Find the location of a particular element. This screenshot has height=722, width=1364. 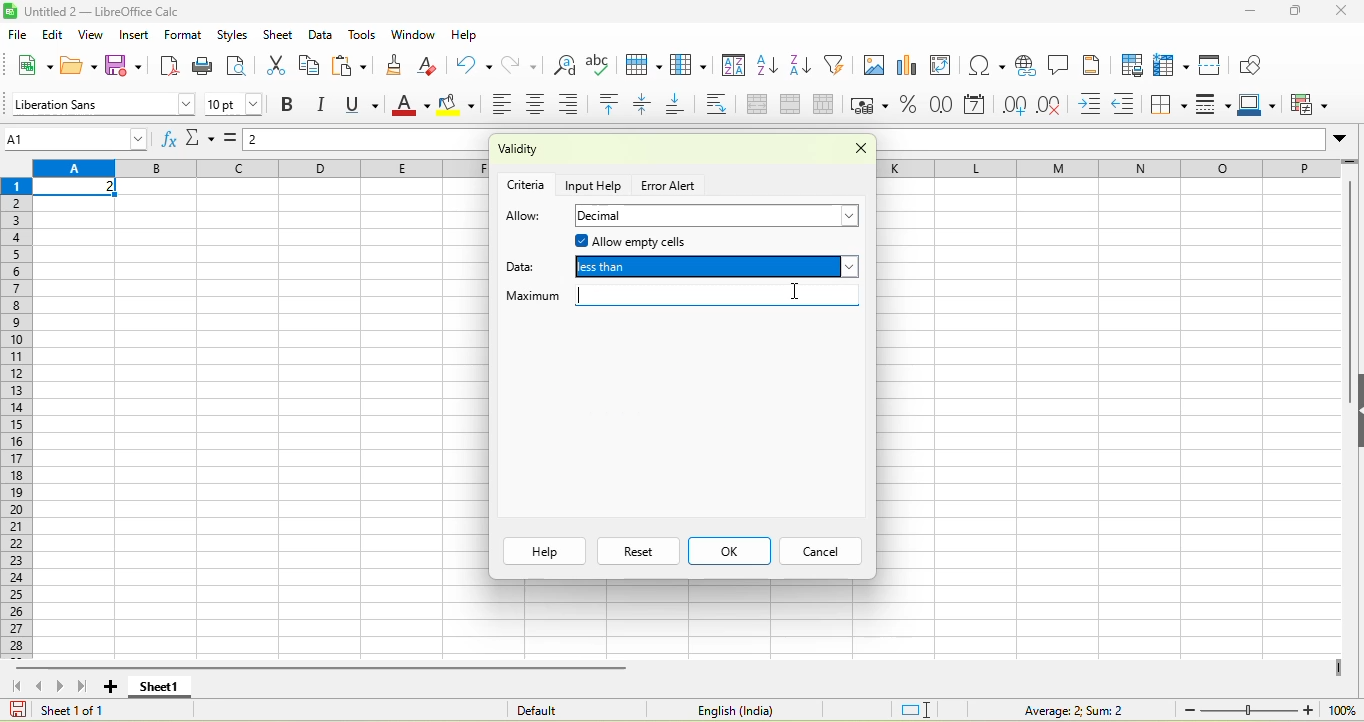

align right is located at coordinates (575, 104).